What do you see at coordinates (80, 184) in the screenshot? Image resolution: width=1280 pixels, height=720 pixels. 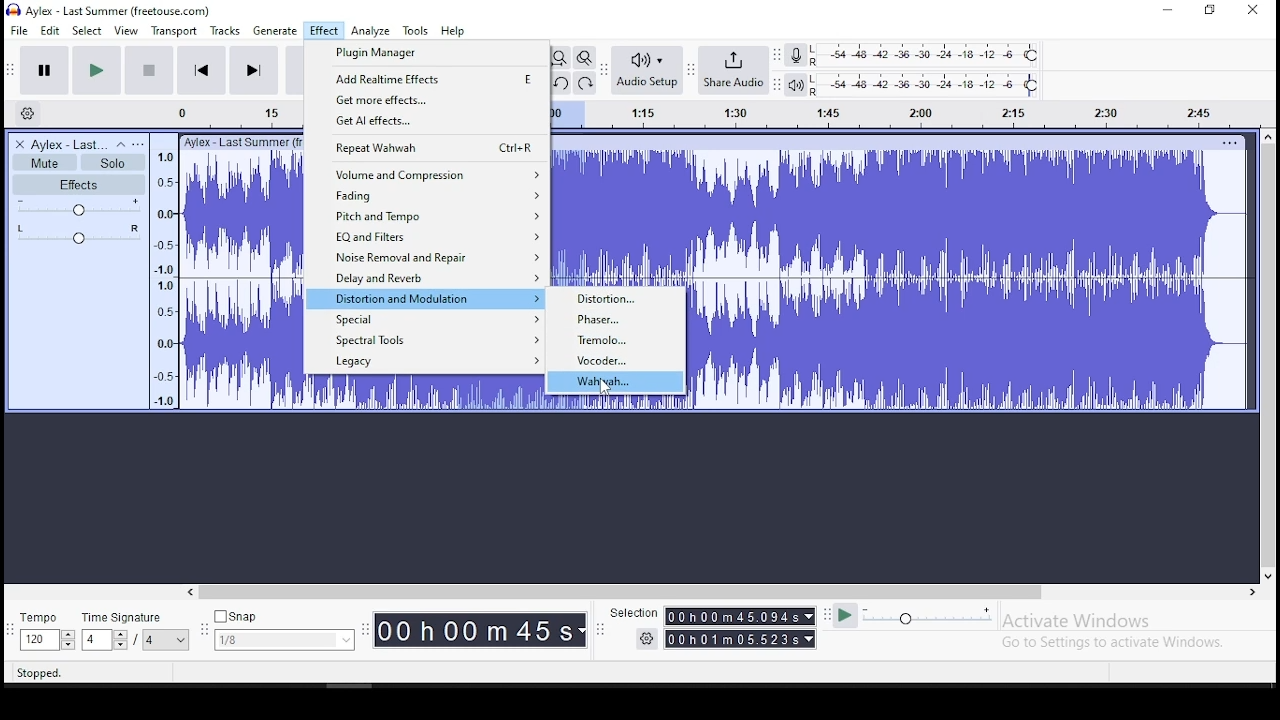 I see `effects` at bounding box center [80, 184].